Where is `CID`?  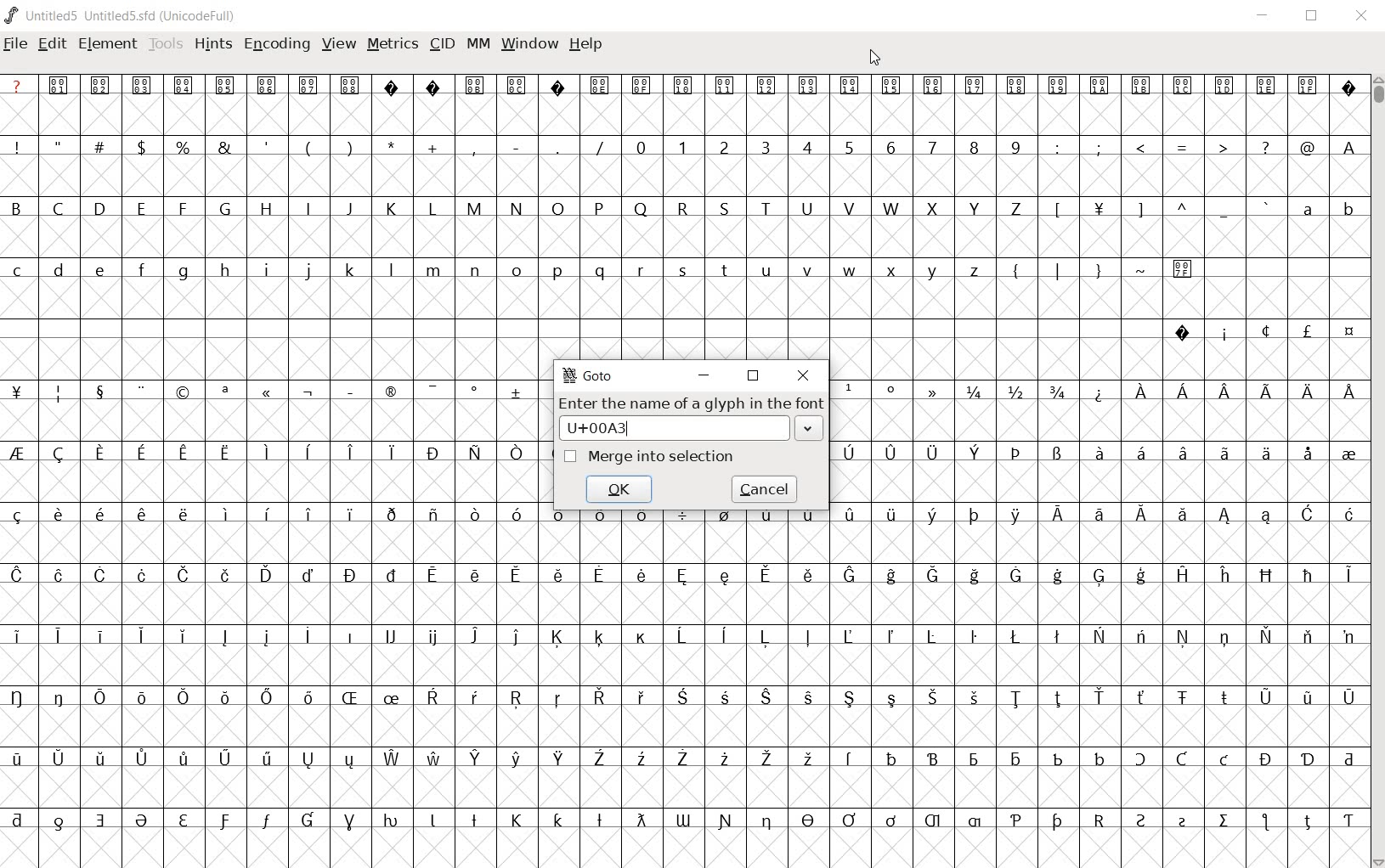
CID is located at coordinates (442, 45).